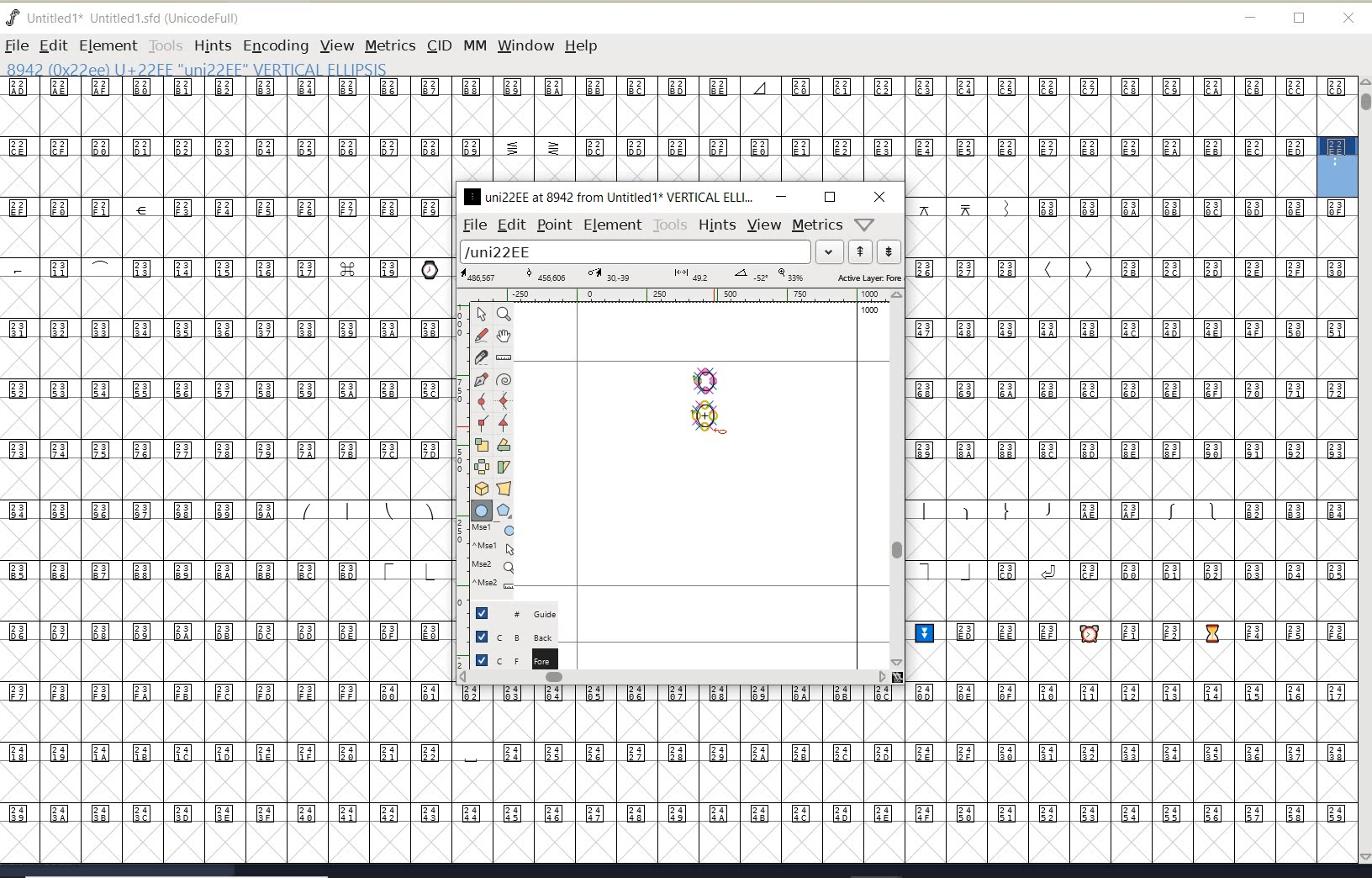 The width and height of the screenshot is (1372, 878). I want to click on metrics, so click(817, 225).